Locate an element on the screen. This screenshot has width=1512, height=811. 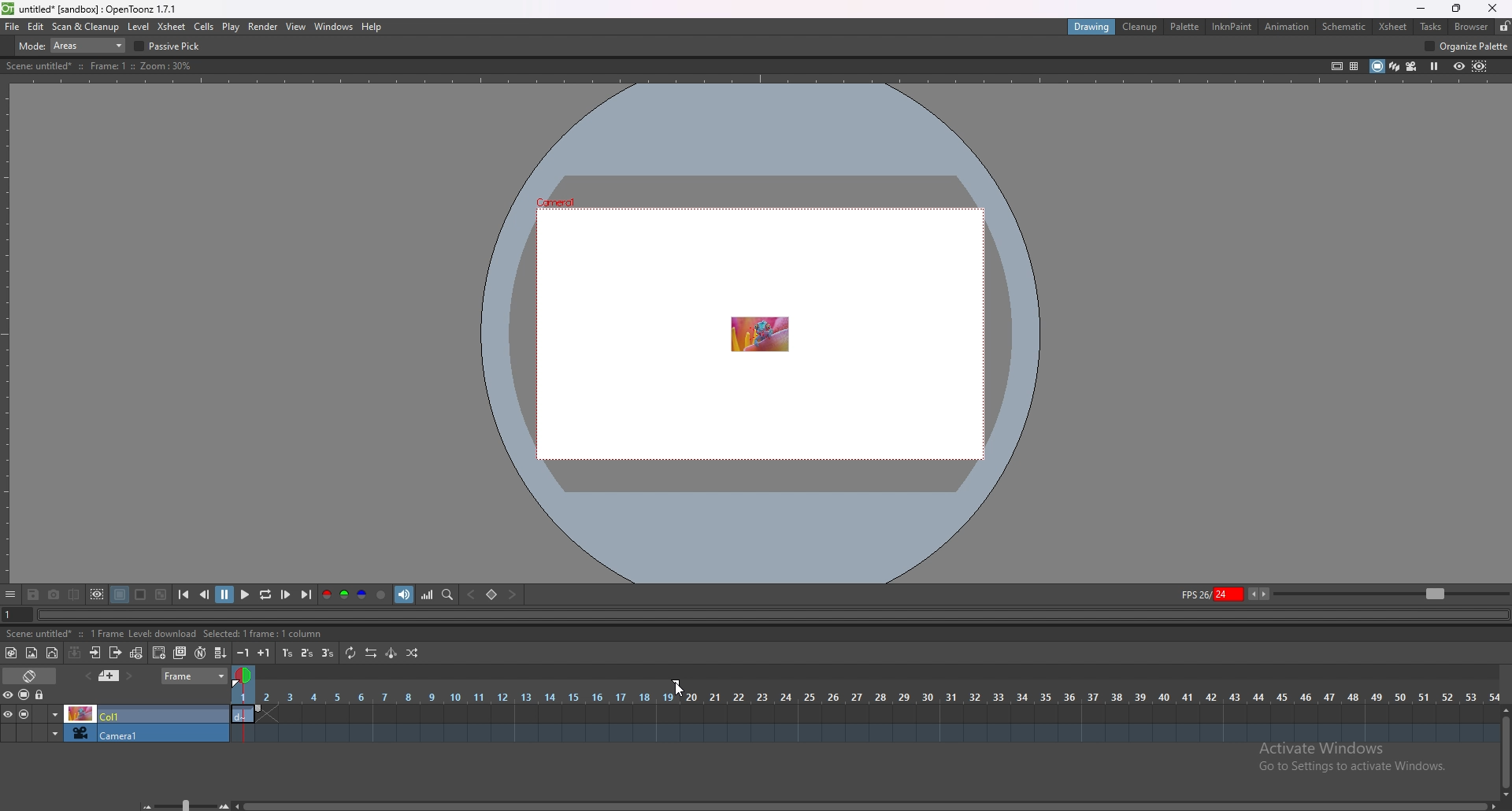
toggle timeline is located at coordinates (30, 676).